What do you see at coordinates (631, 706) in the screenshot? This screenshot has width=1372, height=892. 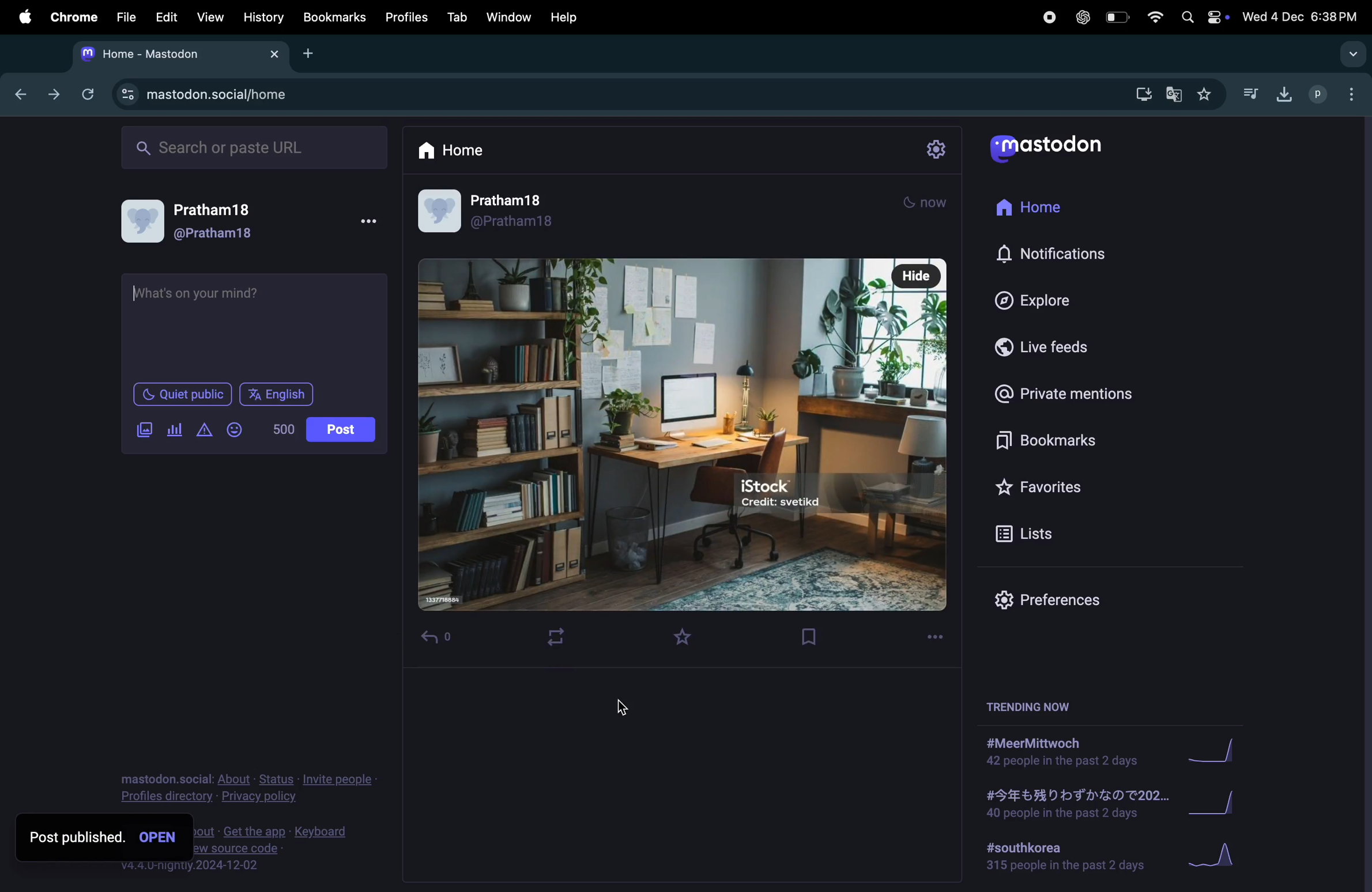 I see `cursor` at bounding box center [631, 706].